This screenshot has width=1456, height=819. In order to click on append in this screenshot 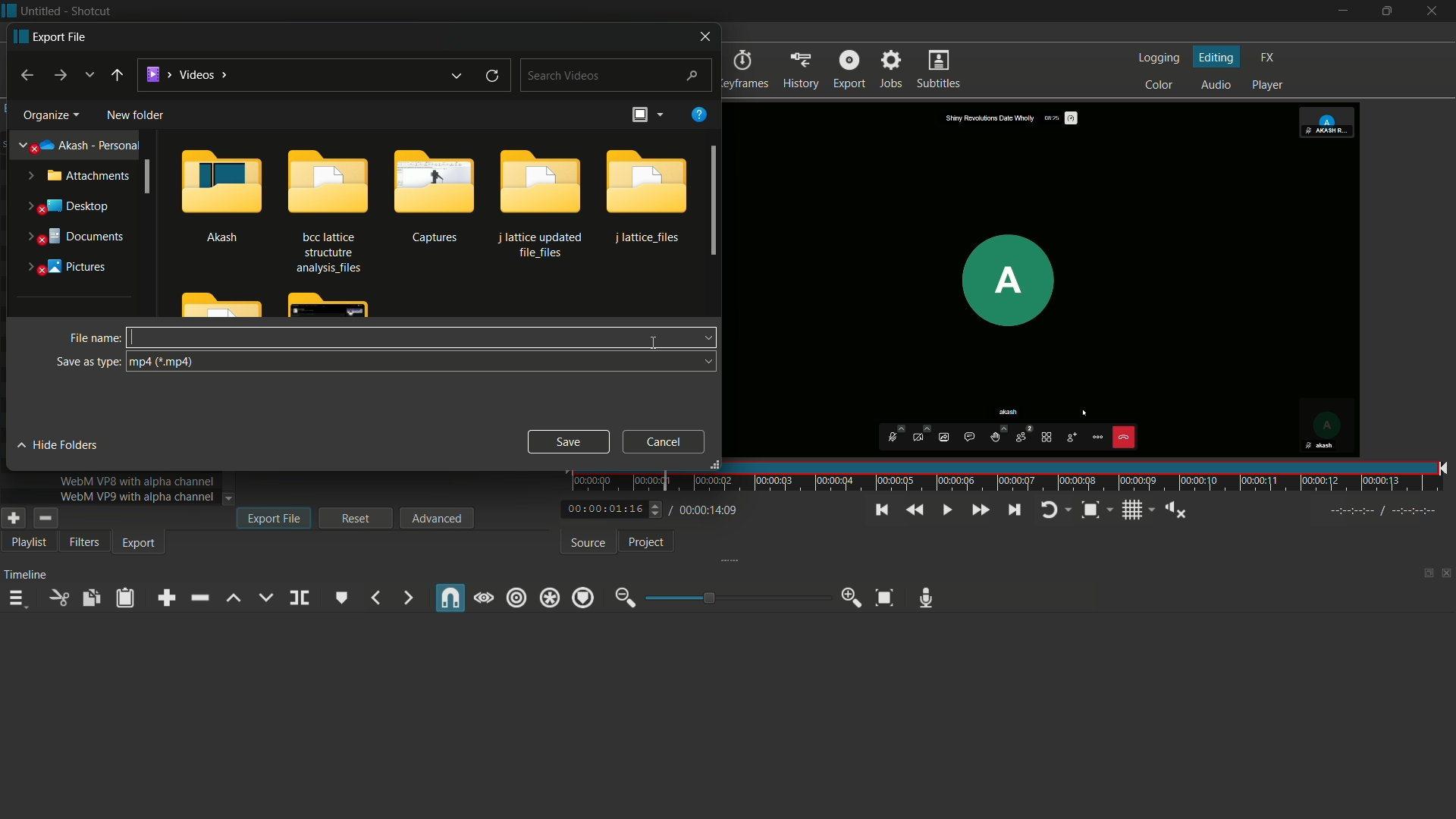, I will do `click(163, 598)`.